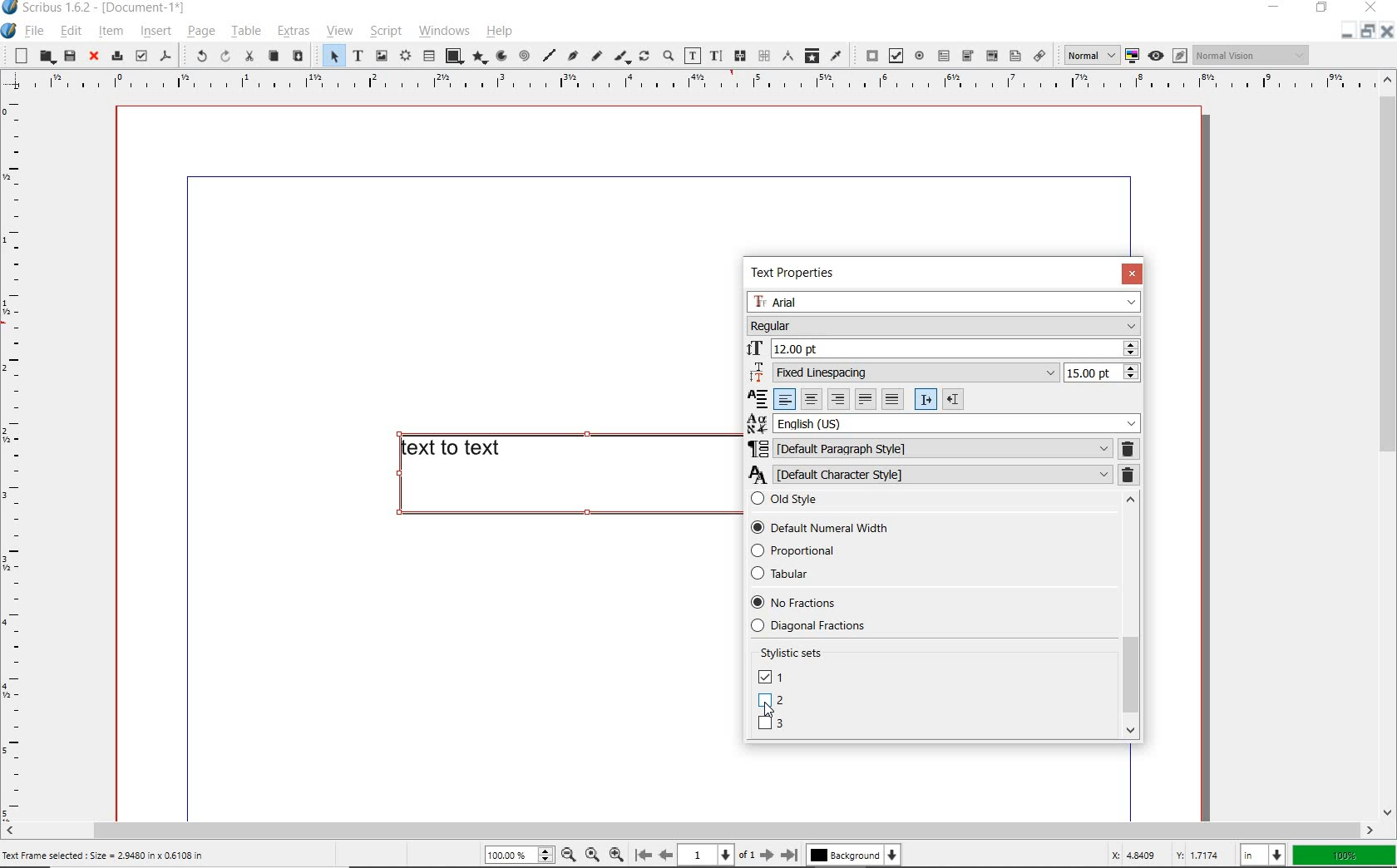 The image size is (1397, 868). What do you see at coordinates (693, 57) in the screenshot?
I see `edit contents of frame` at bounding box center [693, 57].